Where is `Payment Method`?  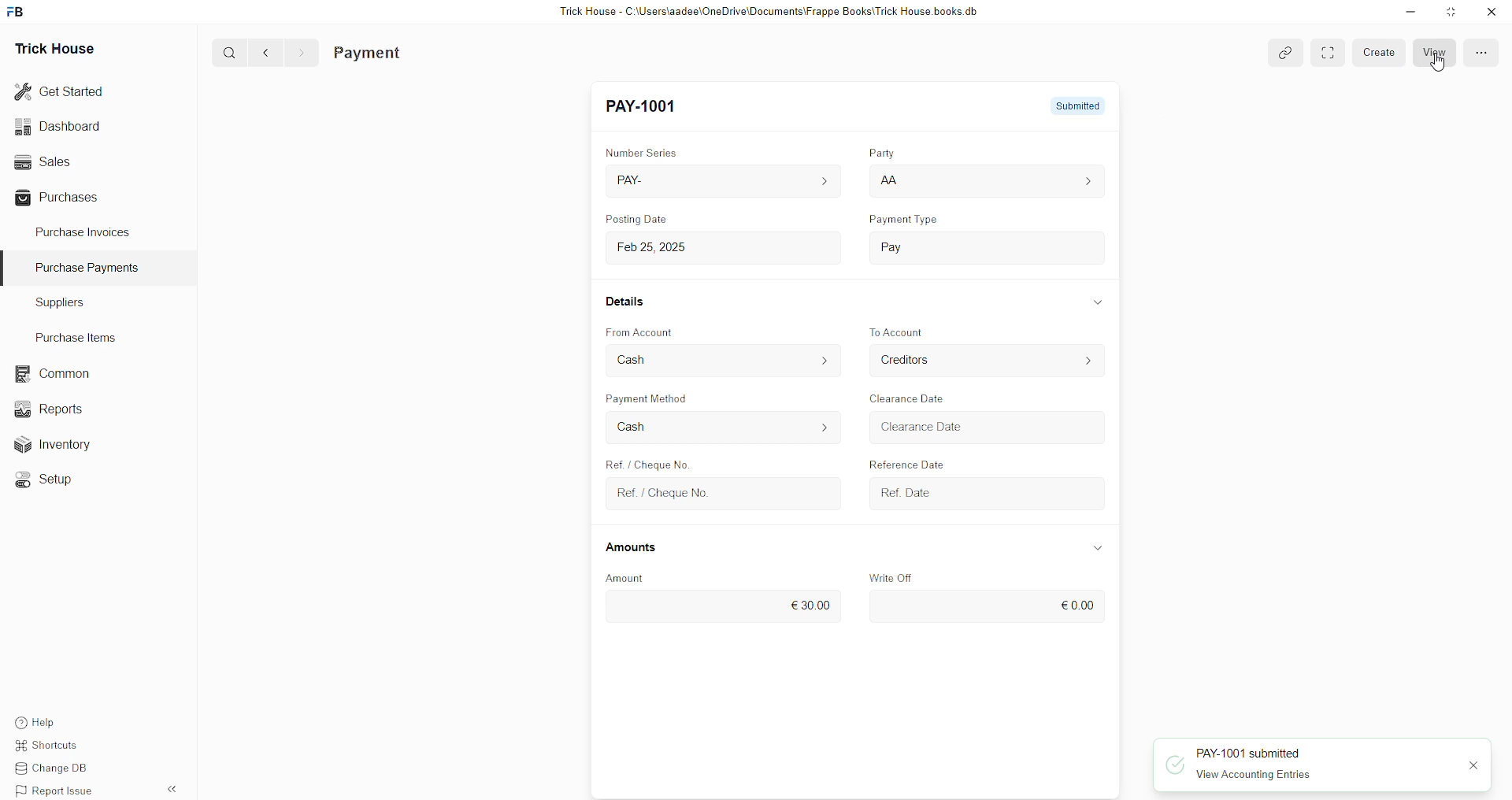 Payment Method is located at coordinates (683, 401).